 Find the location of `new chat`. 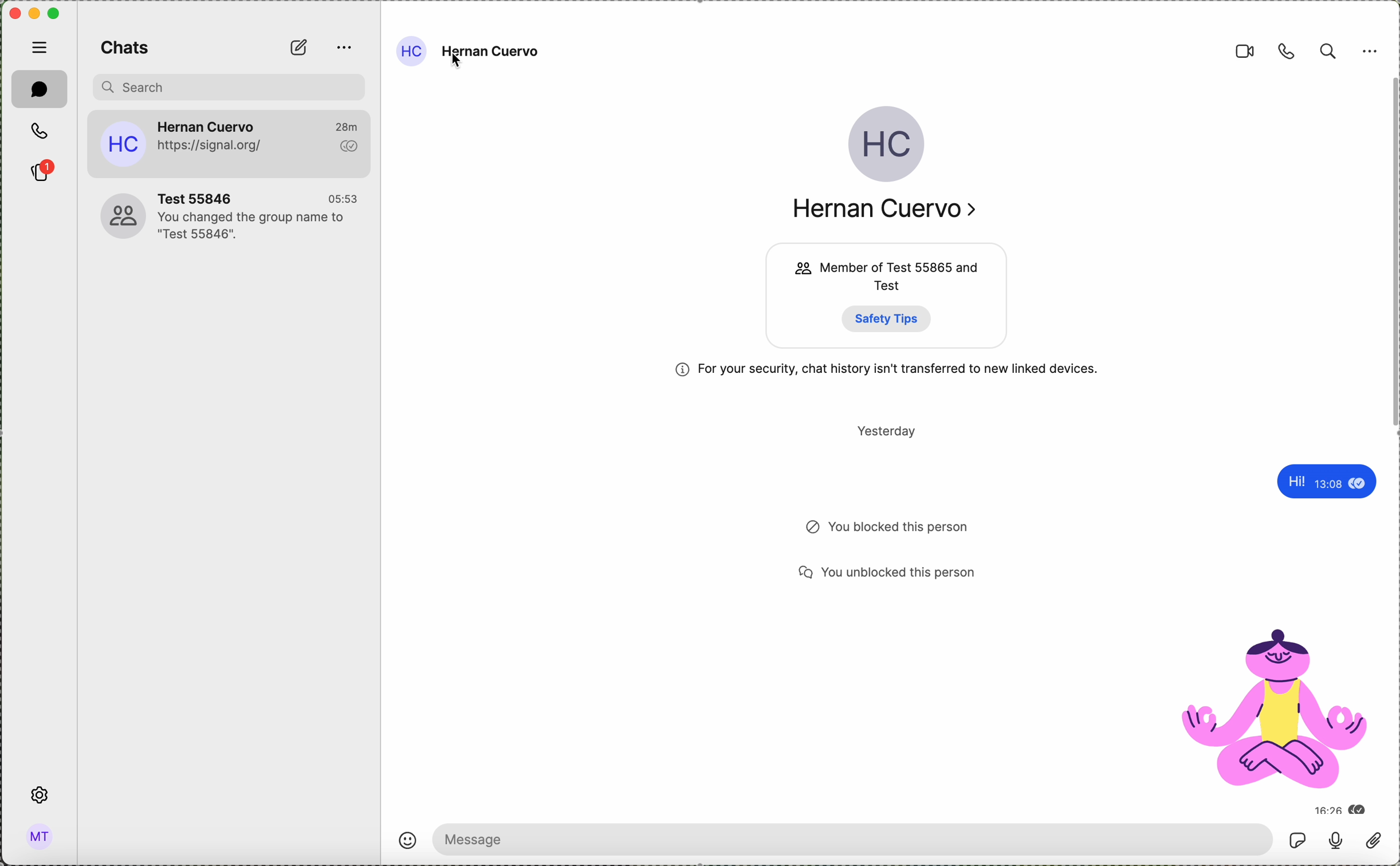

new chat is located at coordinates (298, 46).